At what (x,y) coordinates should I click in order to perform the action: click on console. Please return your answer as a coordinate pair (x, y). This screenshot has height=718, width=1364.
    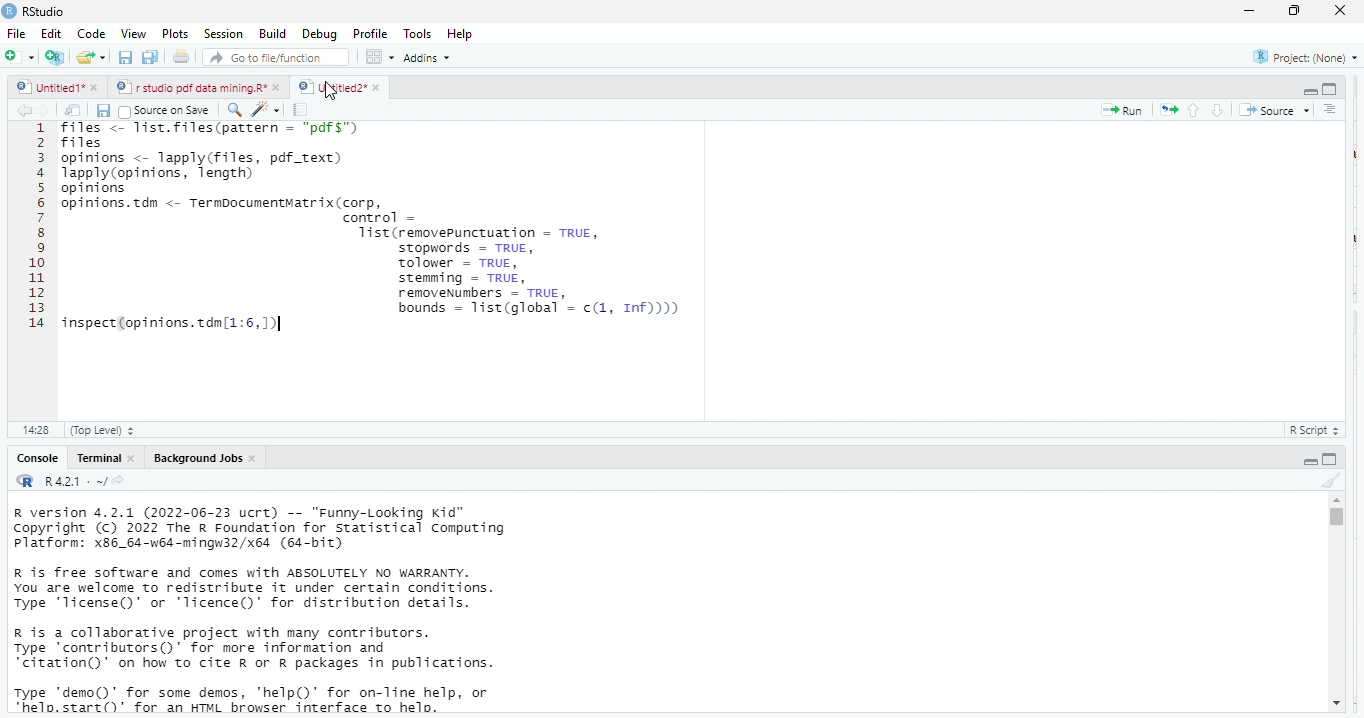
    Looking at the image, I should click on (36, 458).